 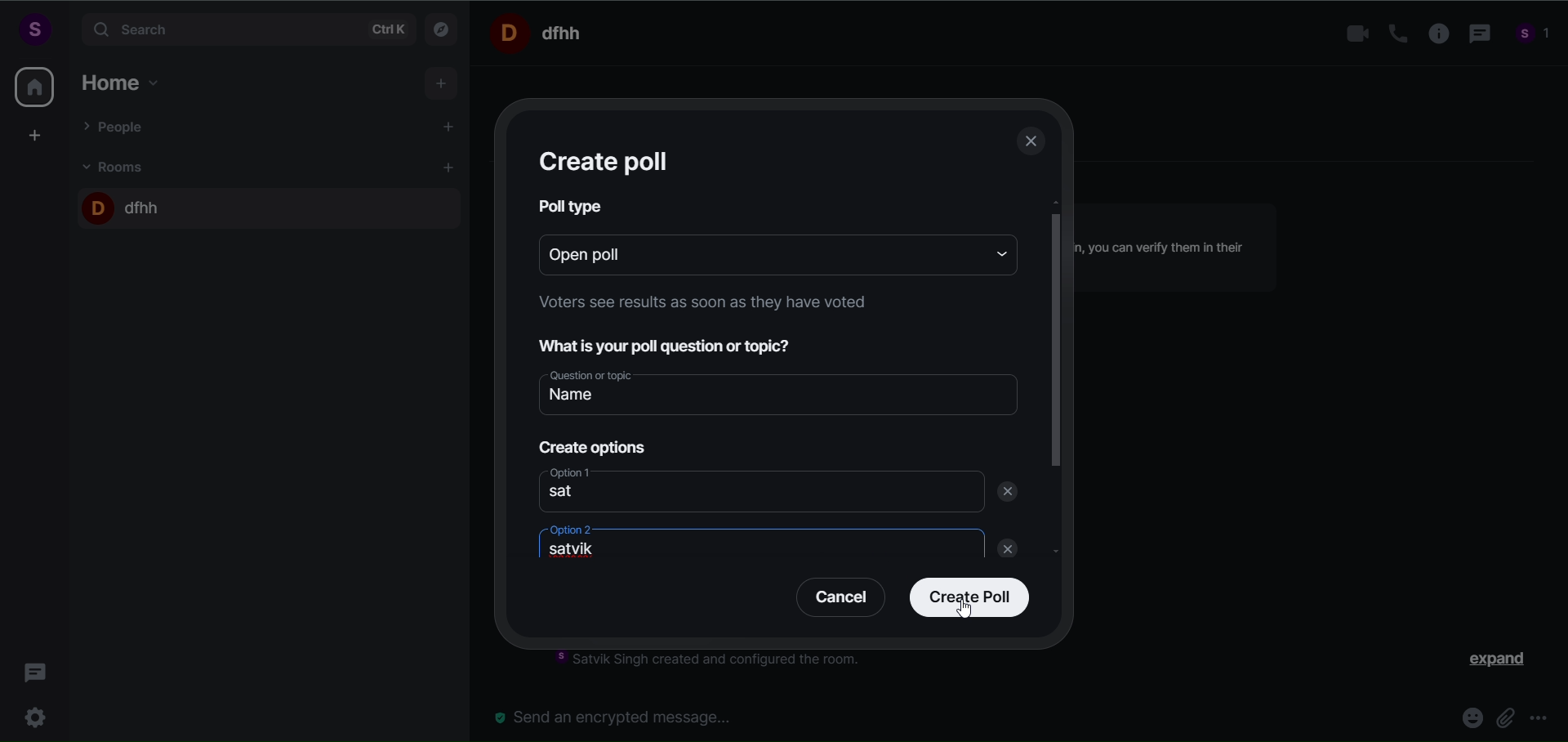 I want to click on close dialog, so click(x=1032, y=144).